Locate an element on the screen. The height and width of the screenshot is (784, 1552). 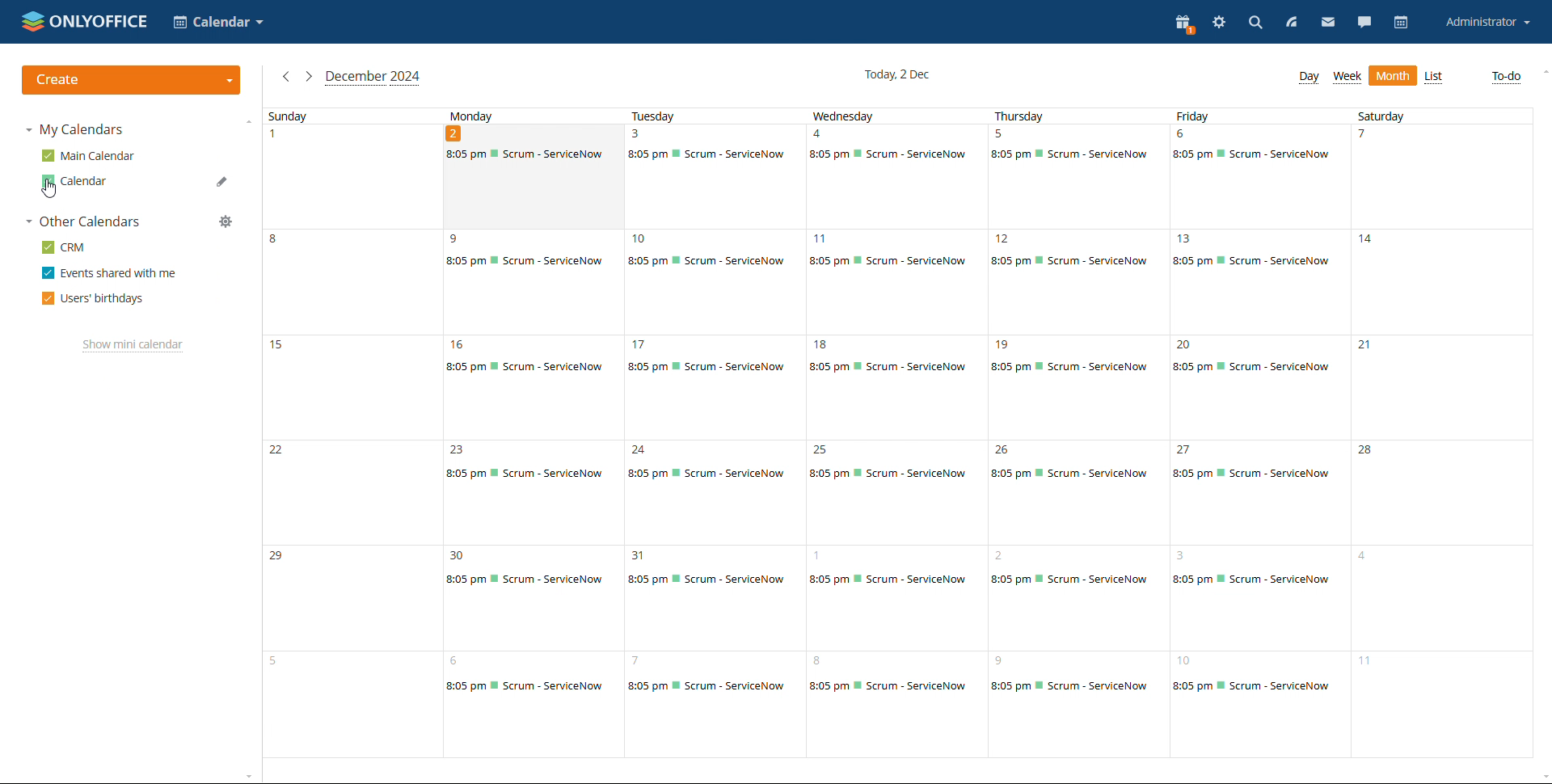
my calendars is located at coordinates (77, 130).